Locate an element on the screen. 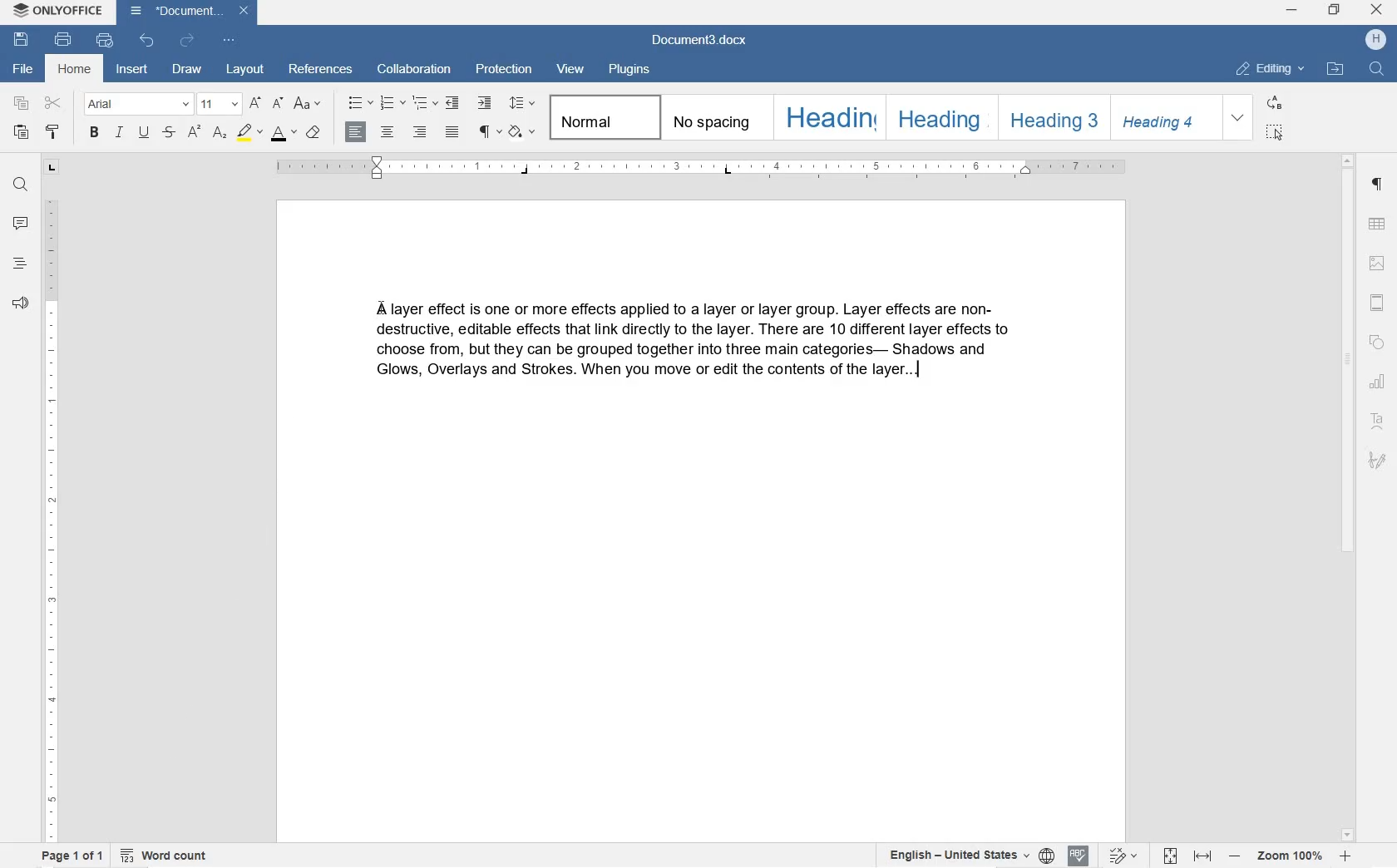 This screenshot has height=868, width=1397. CLEAR STYLE is located at coordinates (313, 133).